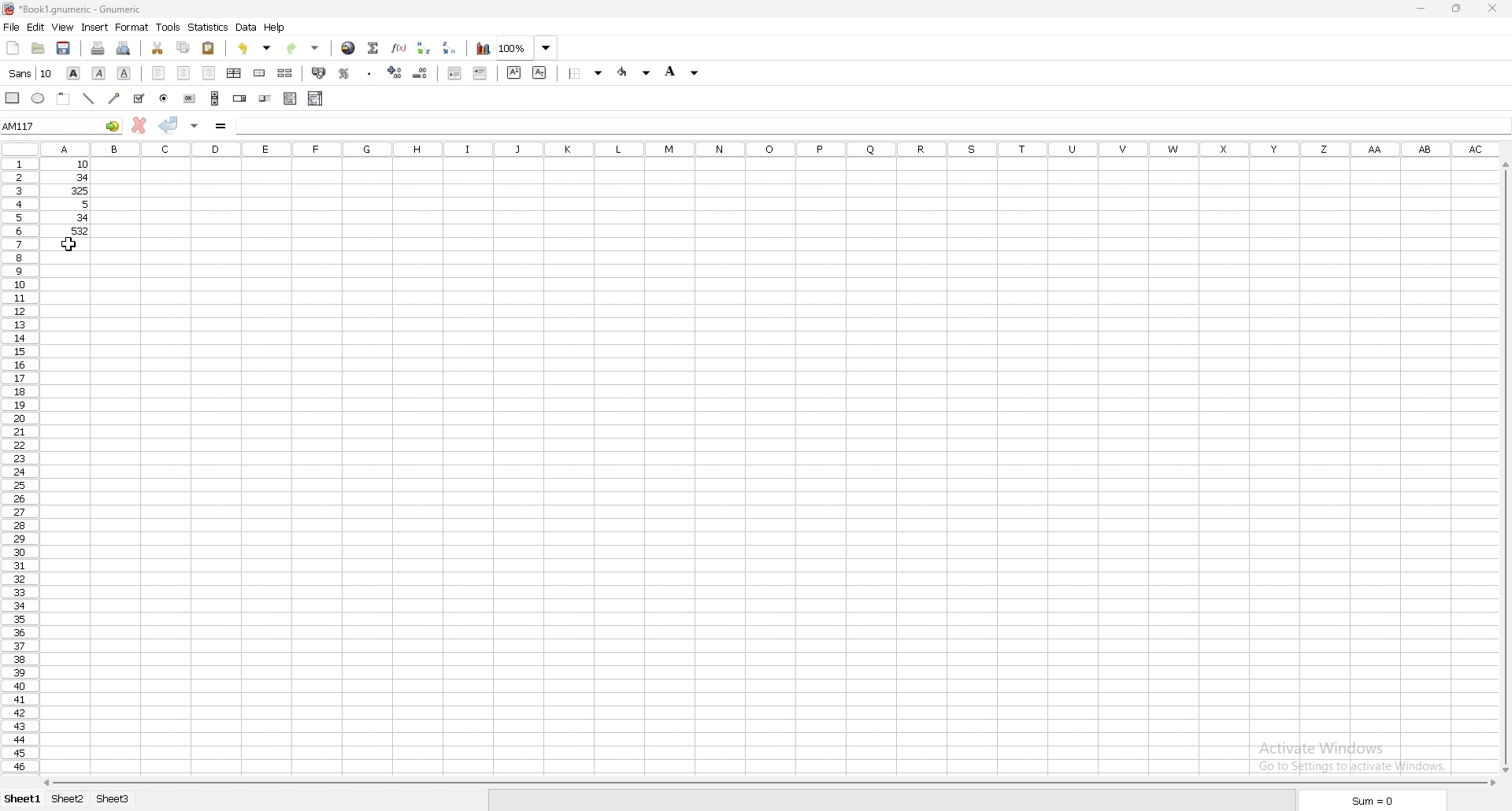 Image resolution: width=1512 pixels, height=811 pixels. Describe the element at coordinates (38, 49) in the screenshot. I see `open` at that location.